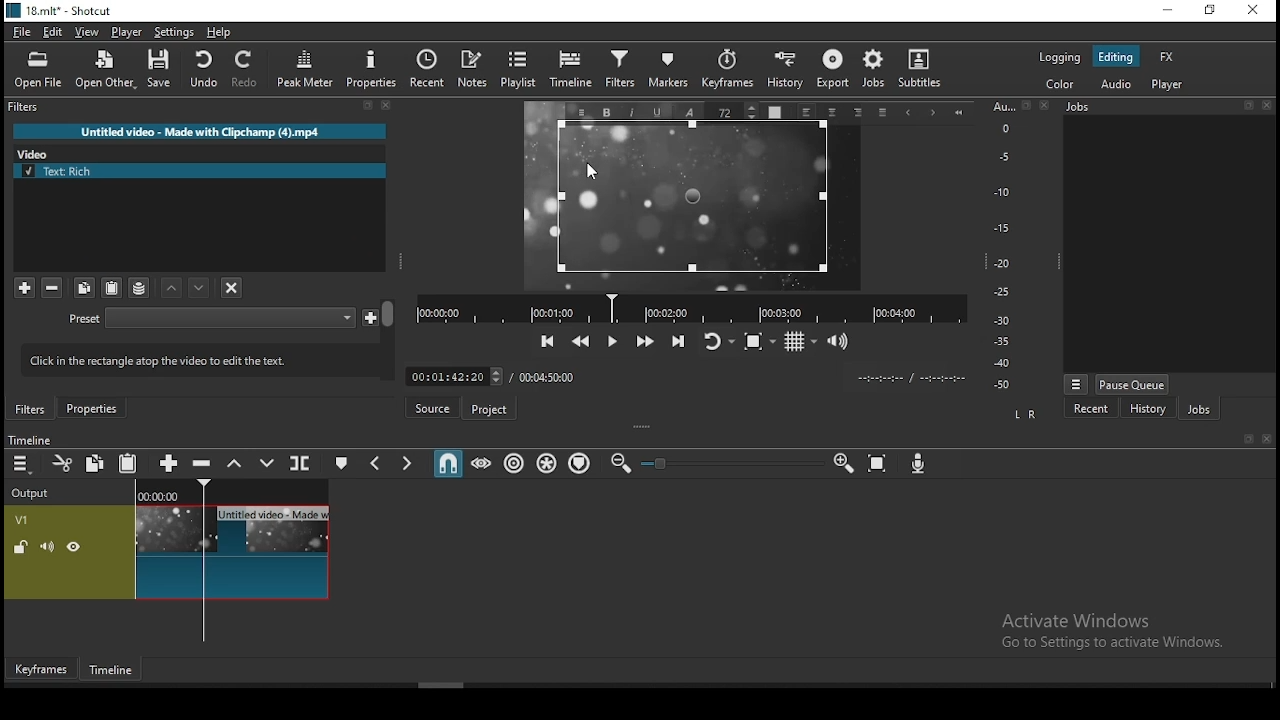 The height and width of the screenshot is (720, 1280). I want to click on filters, so click(26, 107).